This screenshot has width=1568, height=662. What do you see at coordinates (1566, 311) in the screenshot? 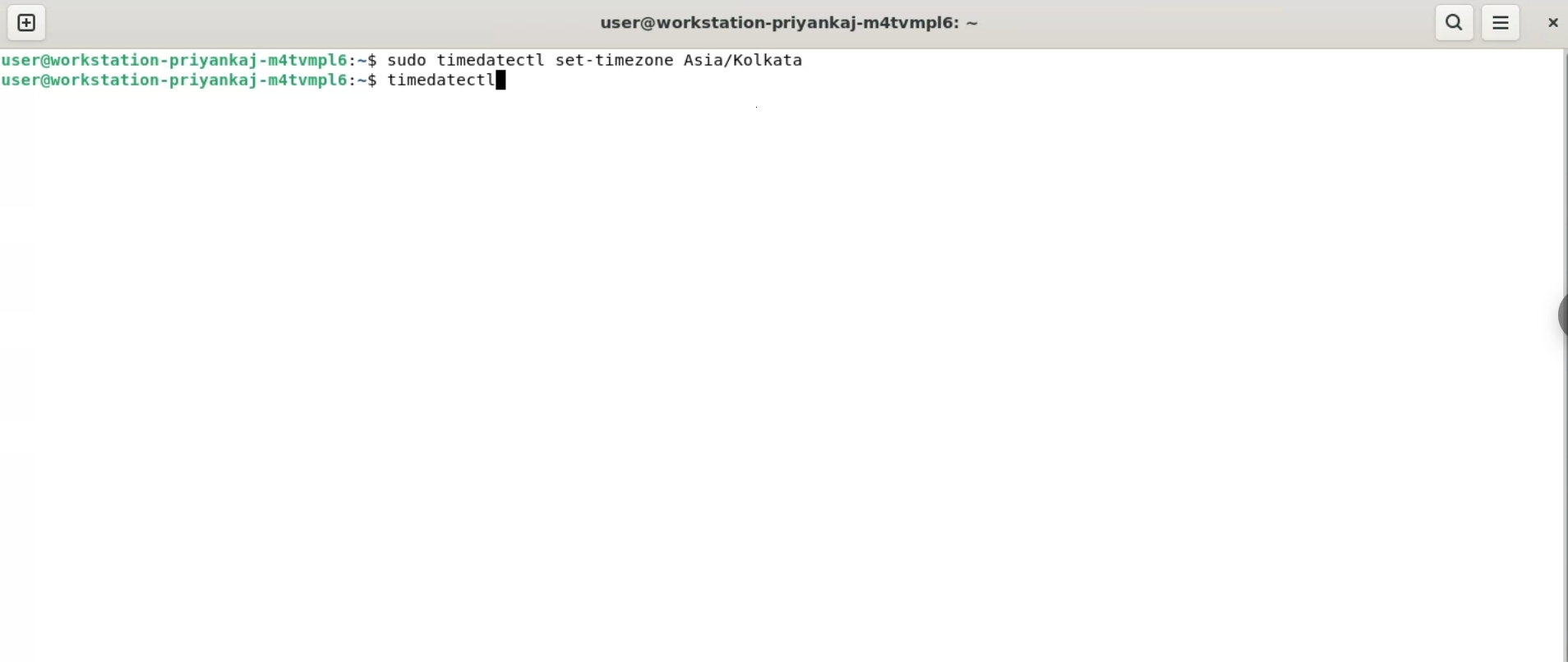
I see `sidebar` at bounding box center [1566, 311].